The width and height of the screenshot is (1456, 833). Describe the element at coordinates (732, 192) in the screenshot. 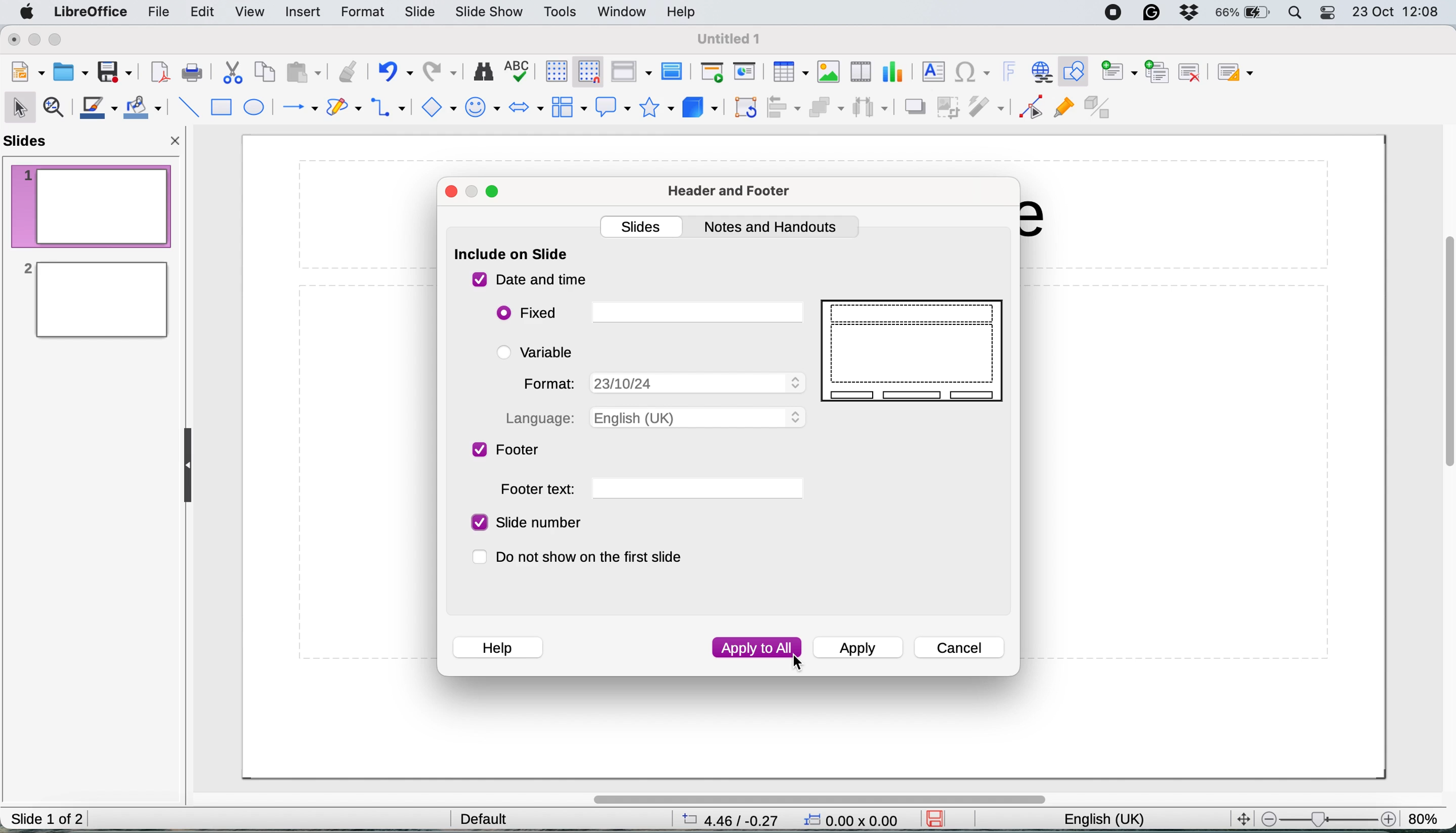

I see `header and footer` at that location.